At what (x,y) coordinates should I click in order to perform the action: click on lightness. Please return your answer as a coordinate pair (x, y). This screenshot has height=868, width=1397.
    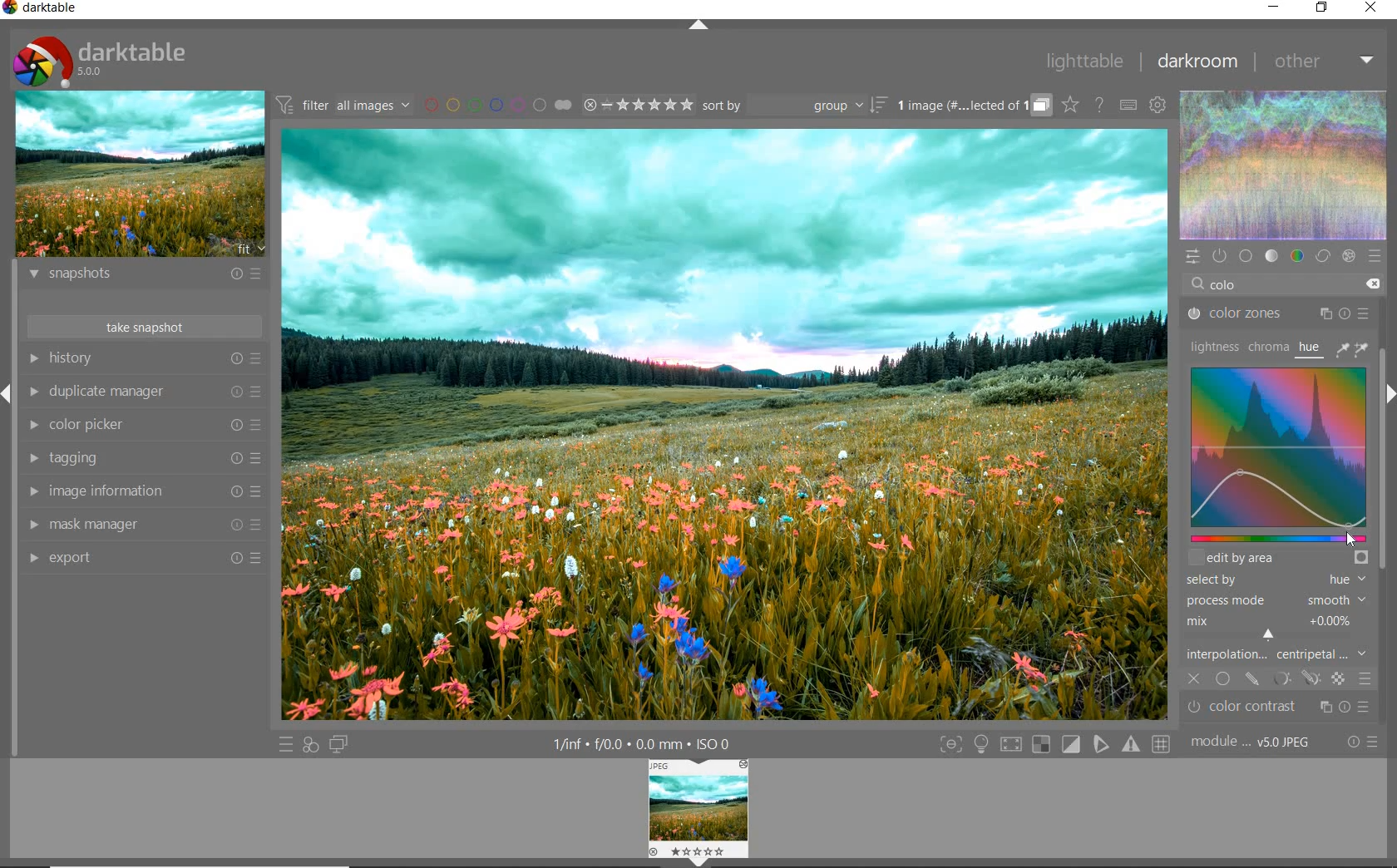
    Looking at the image, I should click on (1214, 346).